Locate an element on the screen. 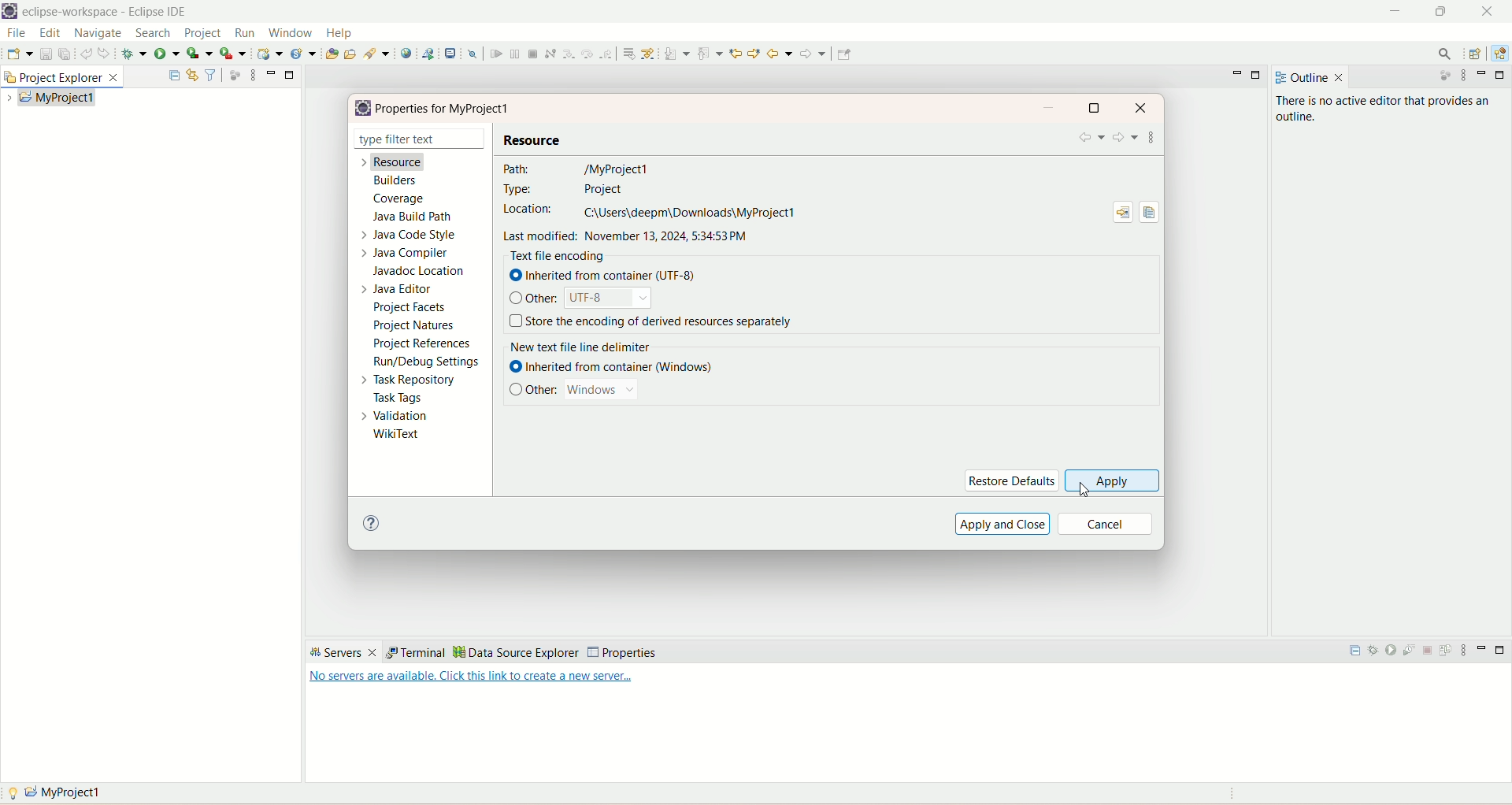 The width and height of the screenshot is (1512, 805). java code style is located at coordinates (406, 235).